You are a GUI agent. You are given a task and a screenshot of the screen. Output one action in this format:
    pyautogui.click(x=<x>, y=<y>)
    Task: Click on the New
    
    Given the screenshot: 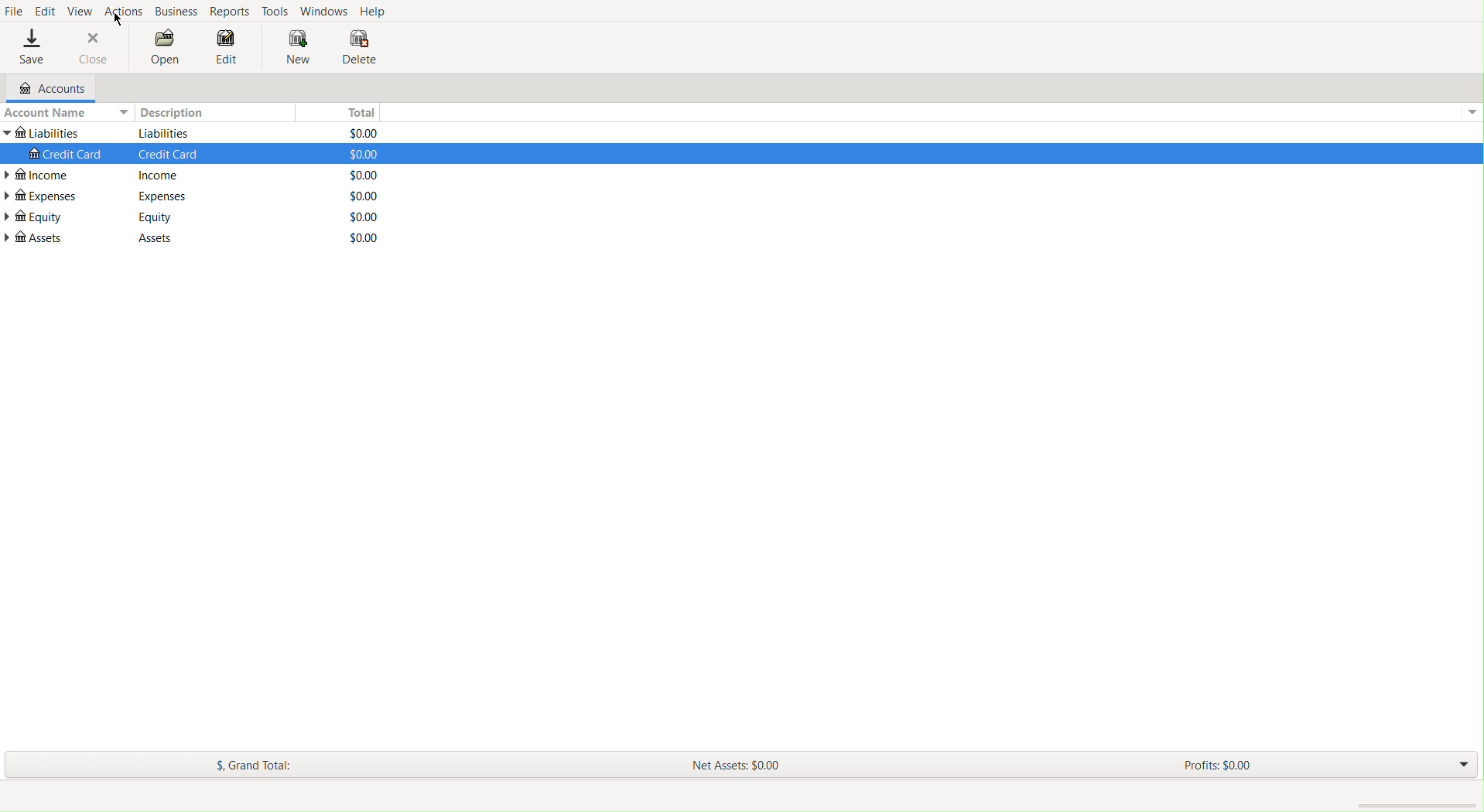 What is the action you would take?
    pyautogui.click(x=295, y=45)
    